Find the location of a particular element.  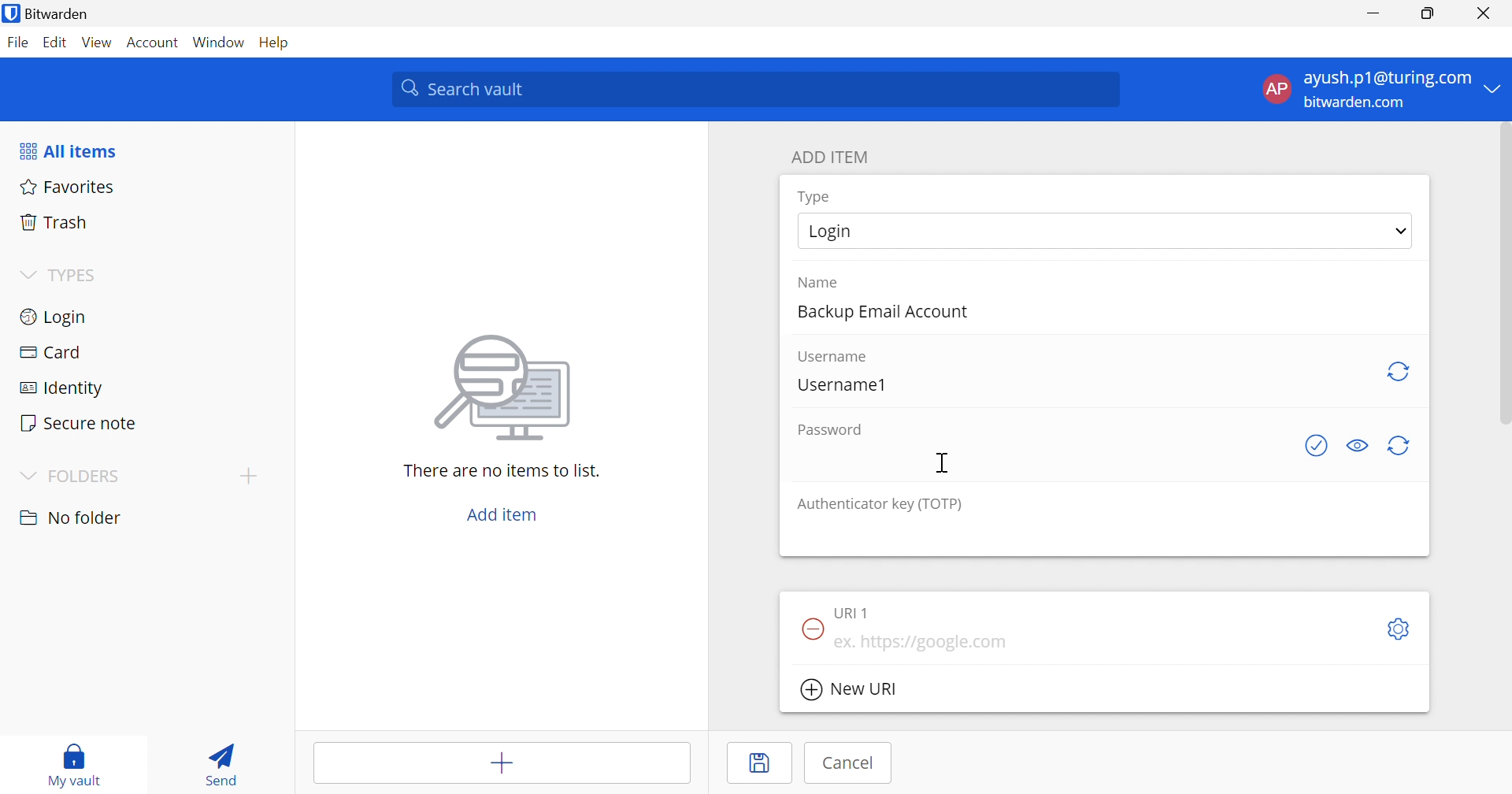

Save is located at coordinates (759, 764).